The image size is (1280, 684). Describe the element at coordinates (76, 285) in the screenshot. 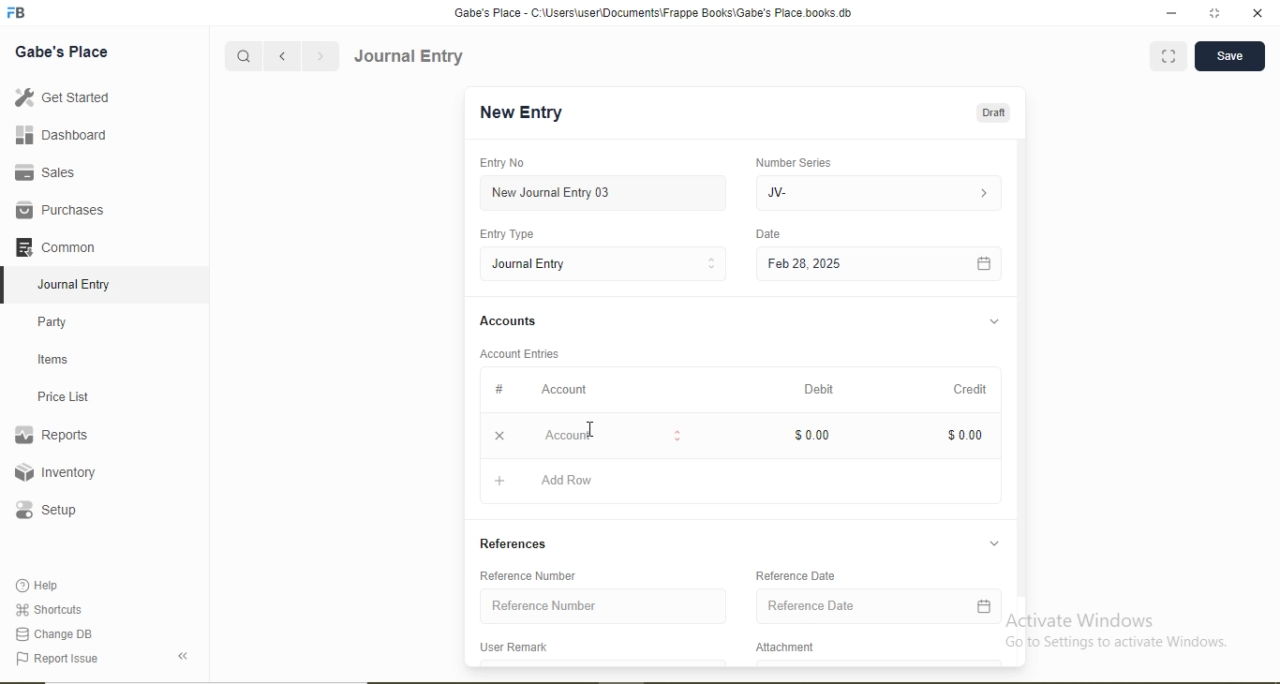

I see `Journal Entry` at that location.